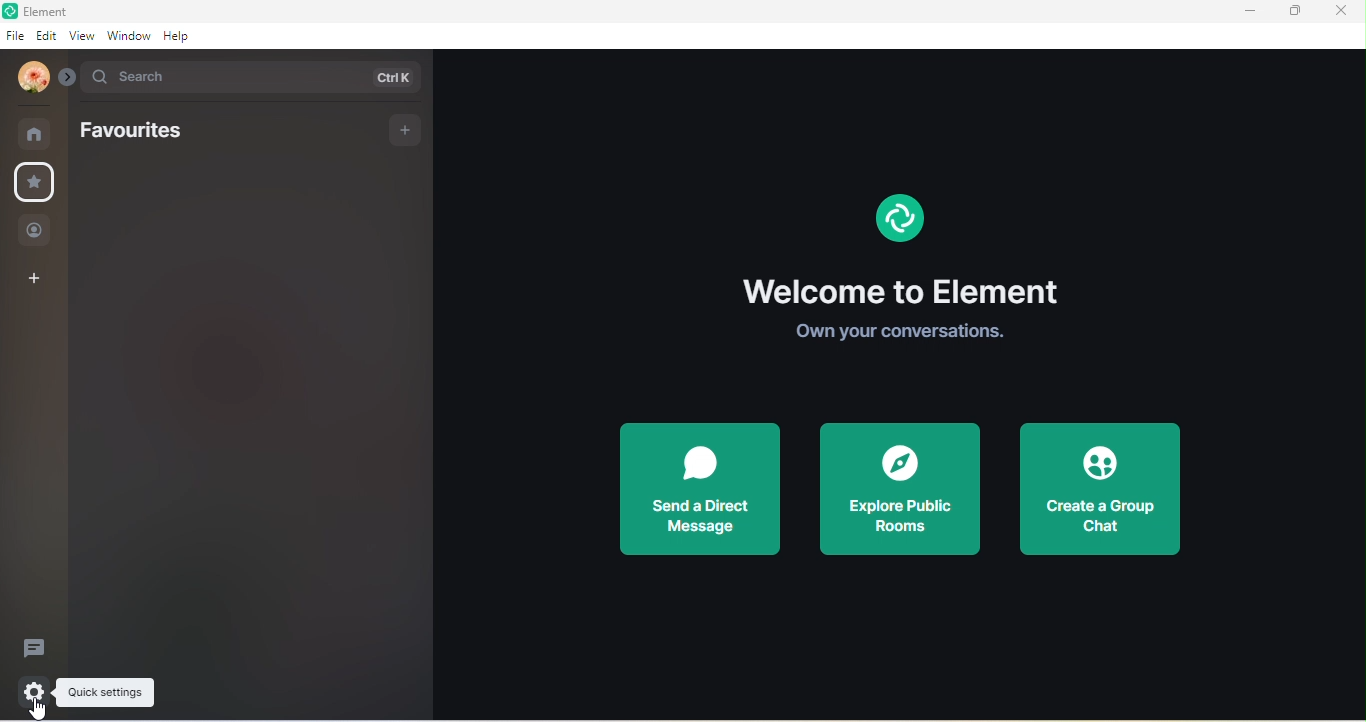 The height and width of the screenshot is (722, 1366). I want to click on Element, so click(43, 11).